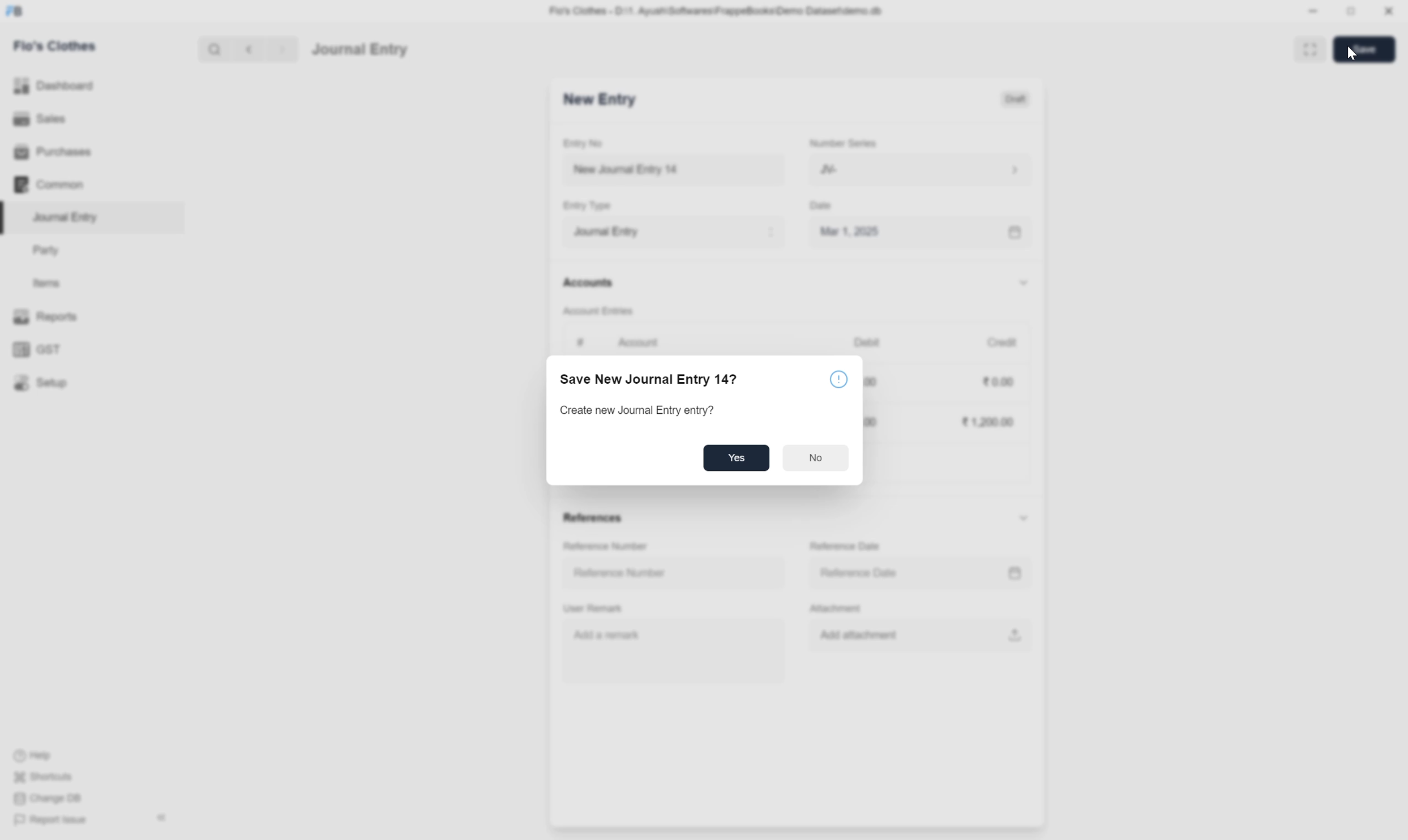 The image size is (1408, 840). I want to click on Credit, so click(1002, 342).